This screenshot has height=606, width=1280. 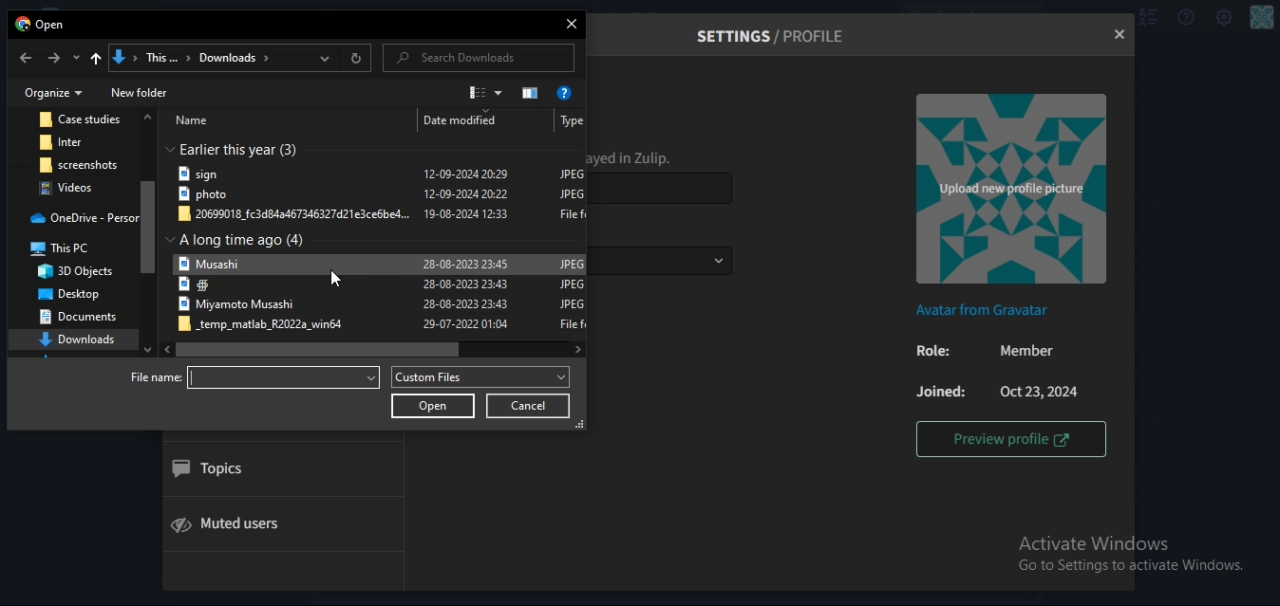 I want to click on file, so click(x=382, y=215).